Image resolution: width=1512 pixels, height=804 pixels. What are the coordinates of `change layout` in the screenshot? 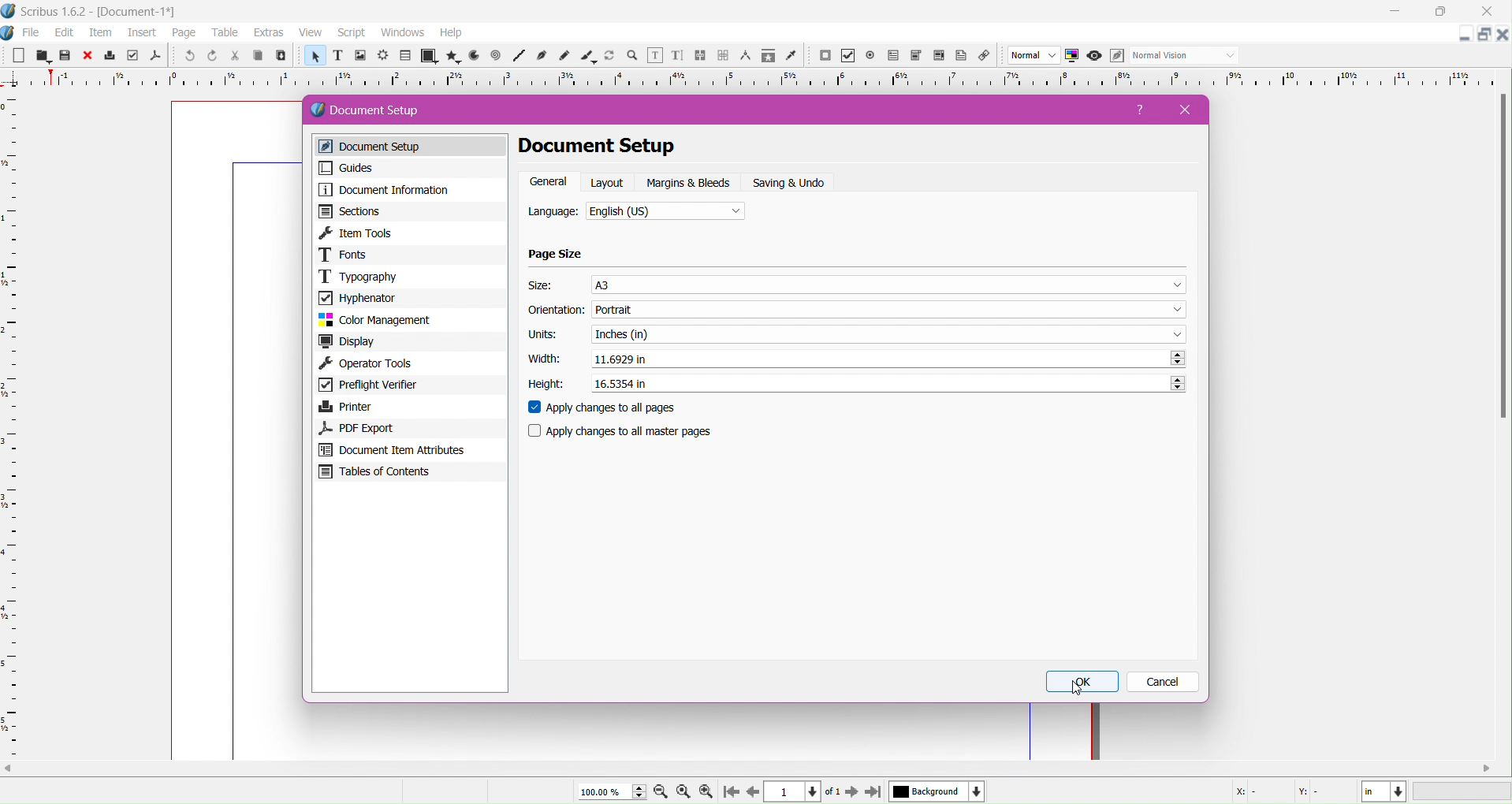 It's located at (1482, 35).